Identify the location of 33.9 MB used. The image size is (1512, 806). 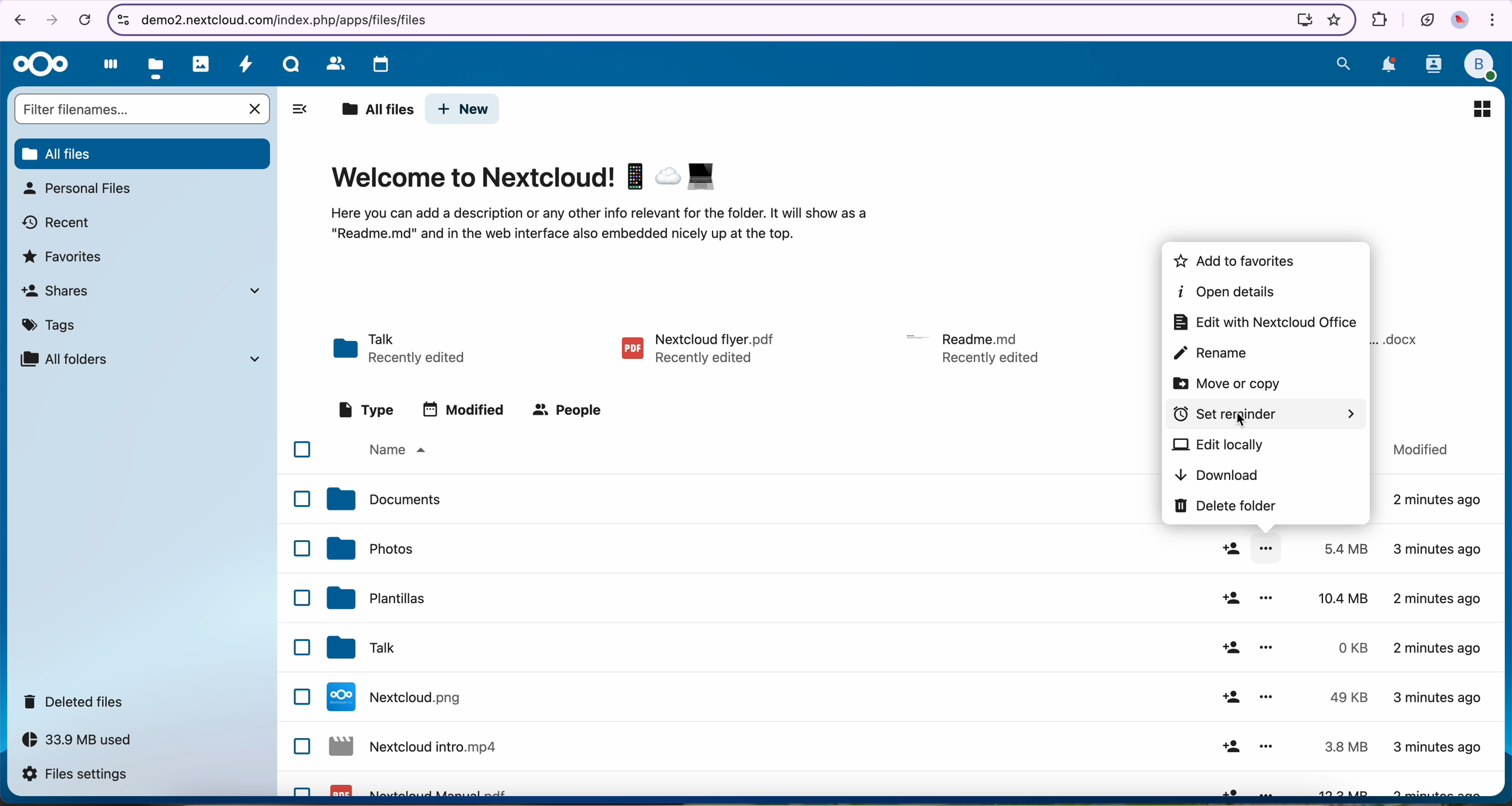
(77, 741).